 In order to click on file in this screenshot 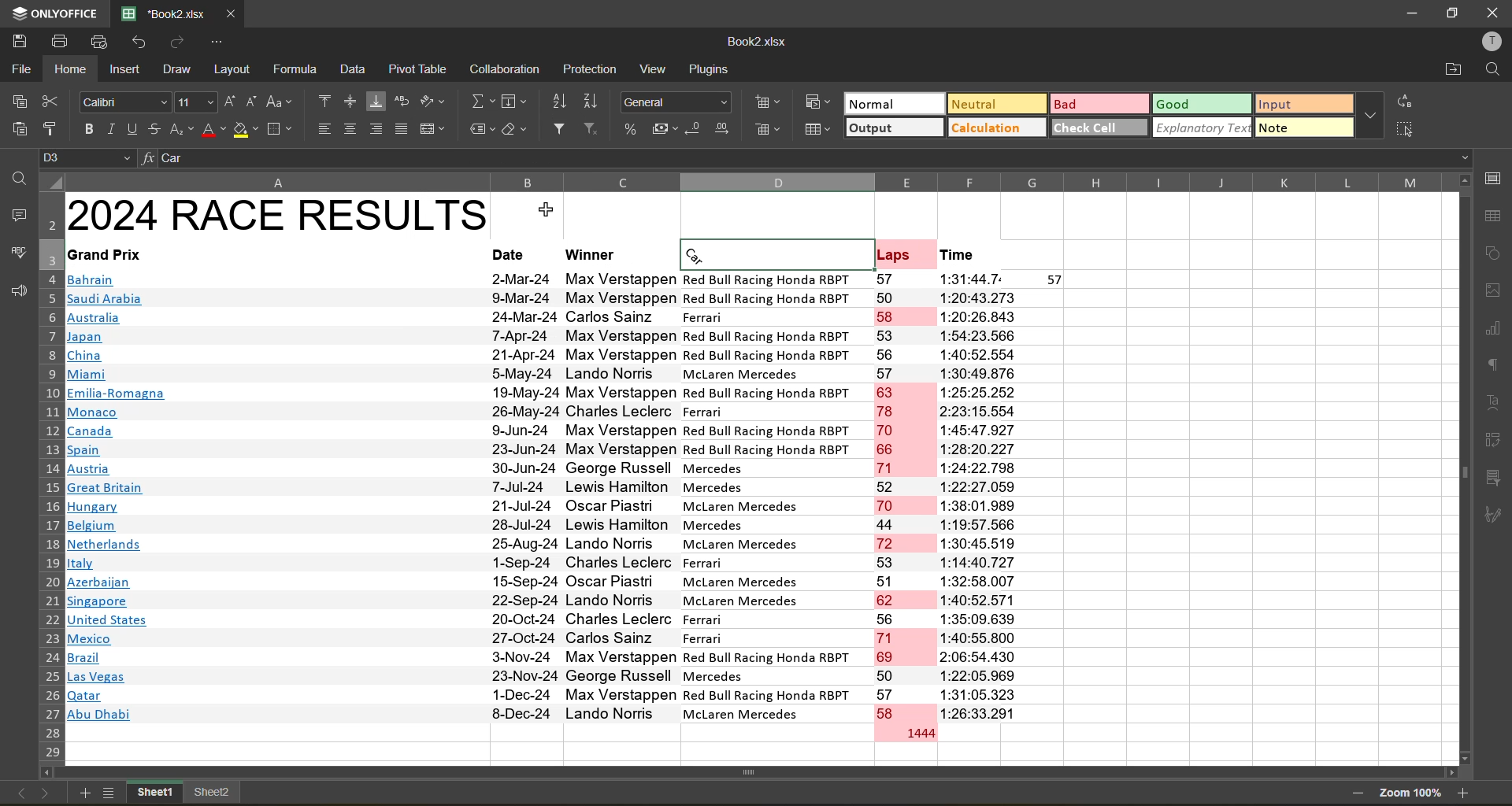, I will do `click(19, 68)`.